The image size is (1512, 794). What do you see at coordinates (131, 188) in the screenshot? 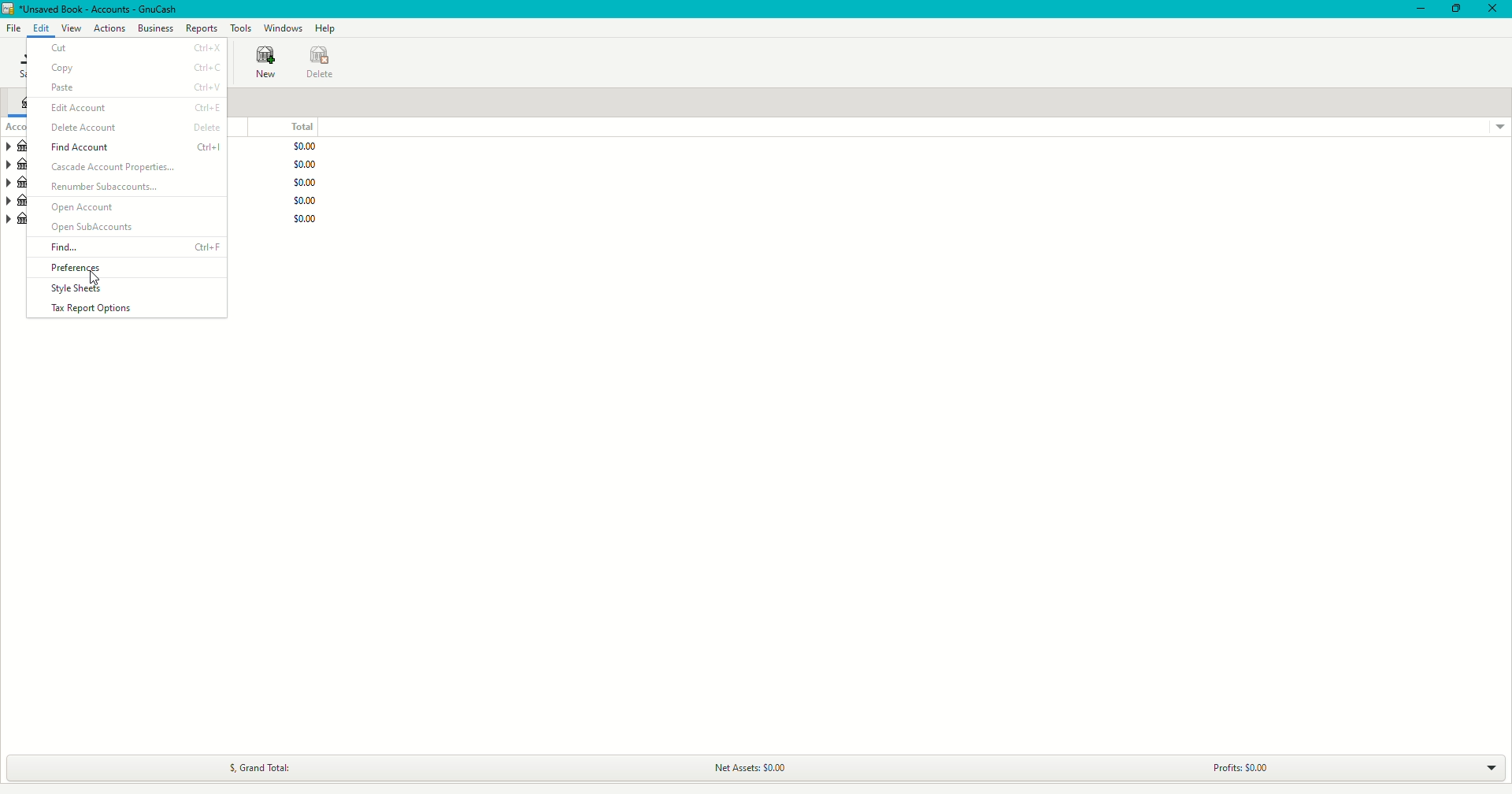
I see `Renumber subaccounts` at bounding box center [131, 188].